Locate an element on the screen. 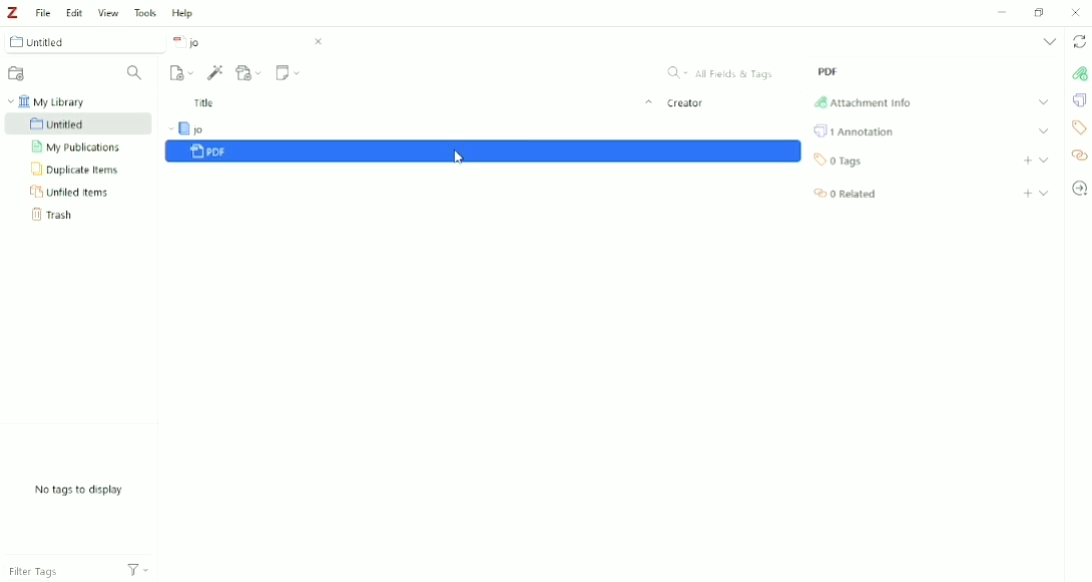  Add Item (s) by Identifier is located at coordinates (215, 72).